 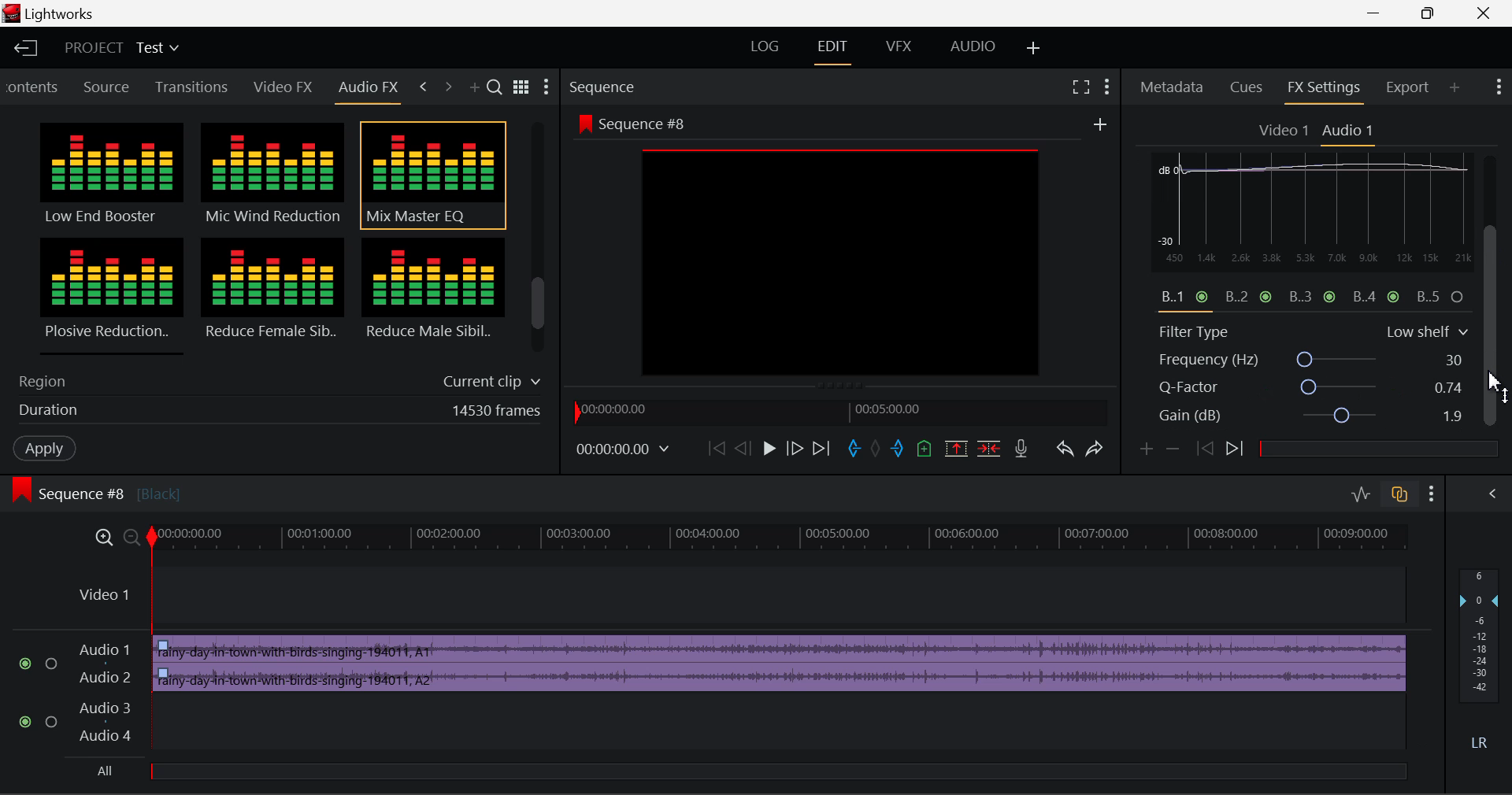 I want to click on Remove all marks, so click(x=879, y=449).